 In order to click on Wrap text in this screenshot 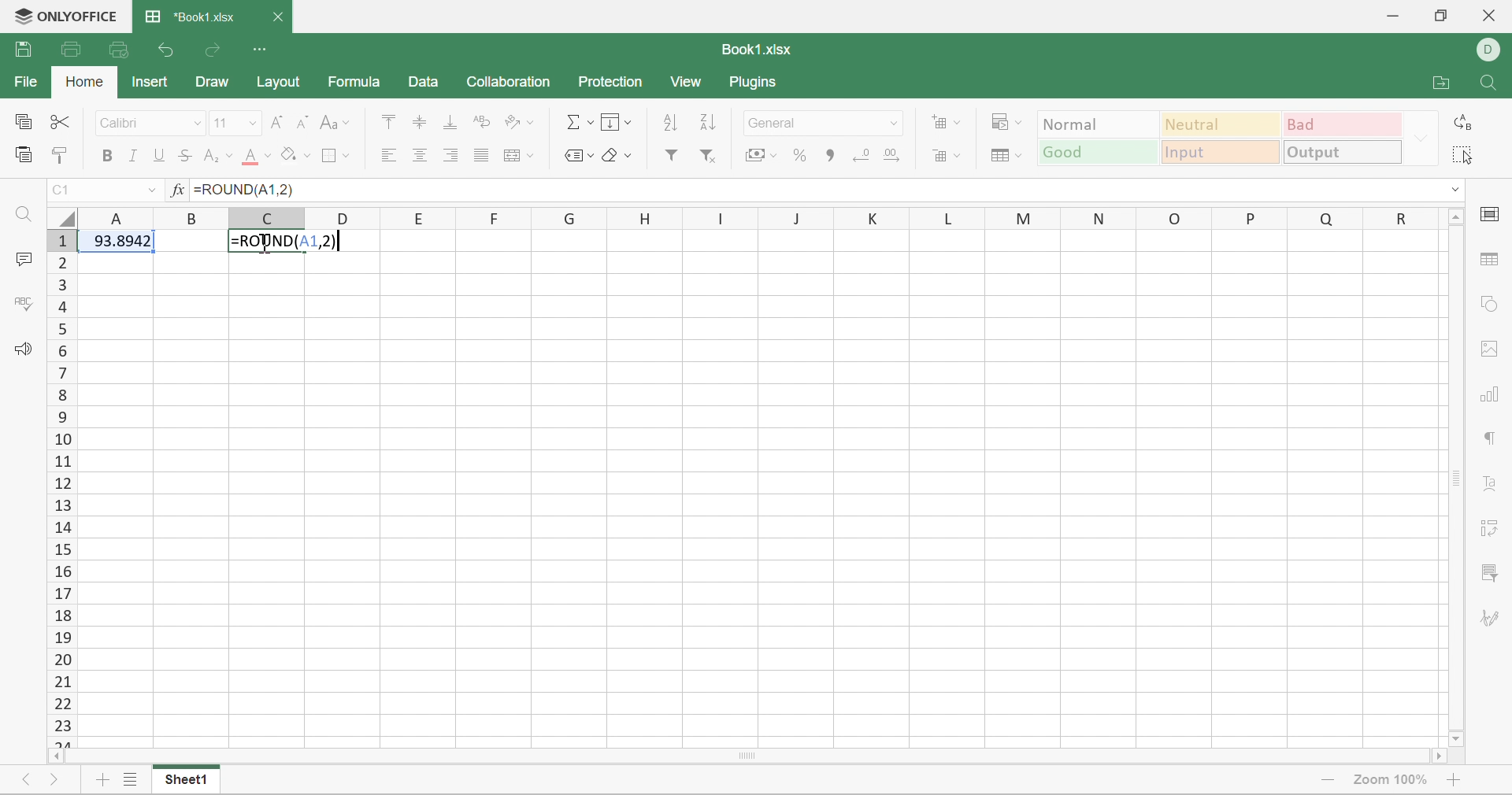, I will do `click(480, 124)`.